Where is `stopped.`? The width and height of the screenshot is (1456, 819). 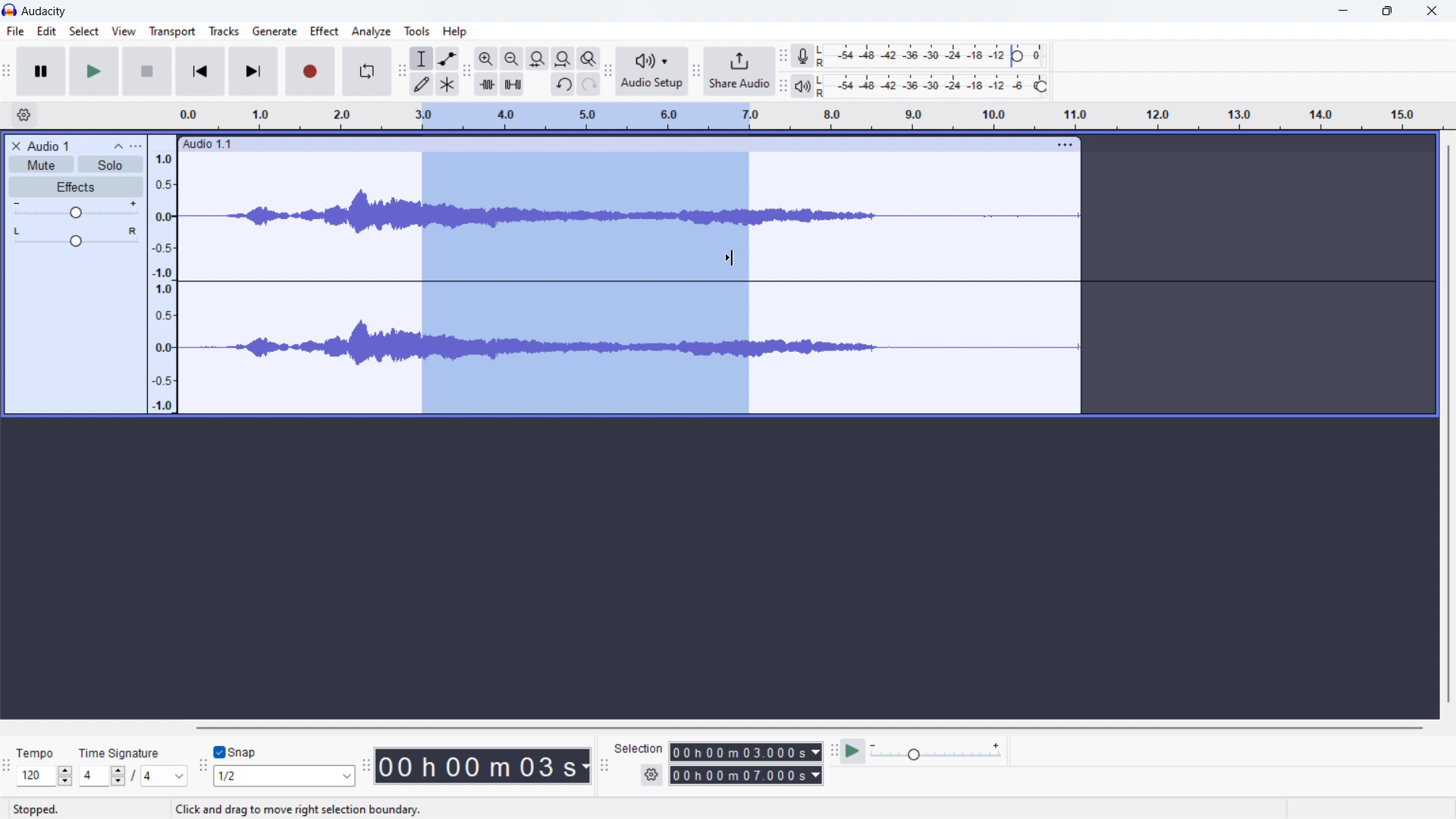
stopped. is located at coordinates (36, 810).